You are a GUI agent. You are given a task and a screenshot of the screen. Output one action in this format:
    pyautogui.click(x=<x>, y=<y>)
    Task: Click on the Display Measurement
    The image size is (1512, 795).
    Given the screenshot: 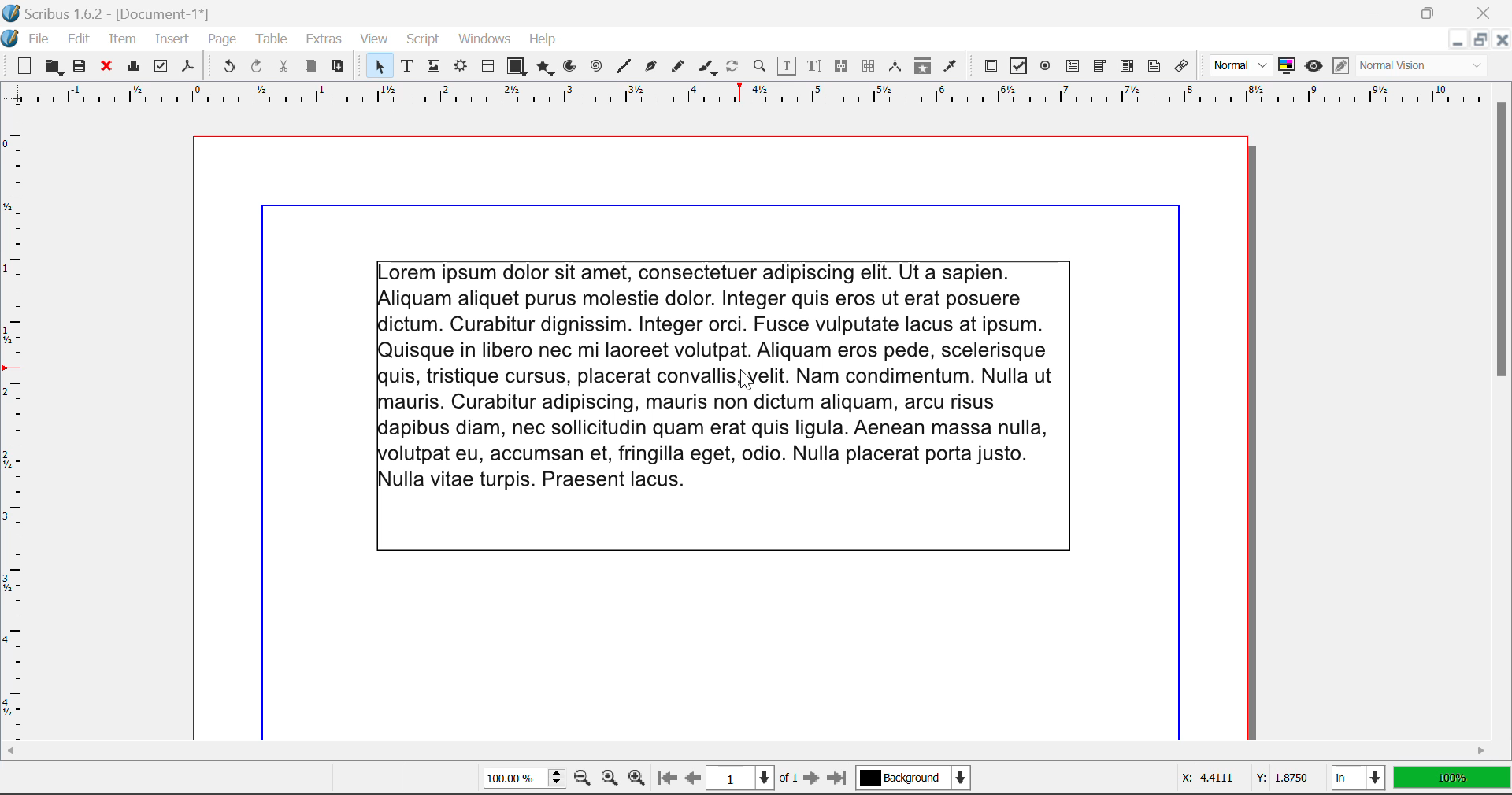 What is the action you would take?
    pyautogui.click(x=1452, y=780)
    